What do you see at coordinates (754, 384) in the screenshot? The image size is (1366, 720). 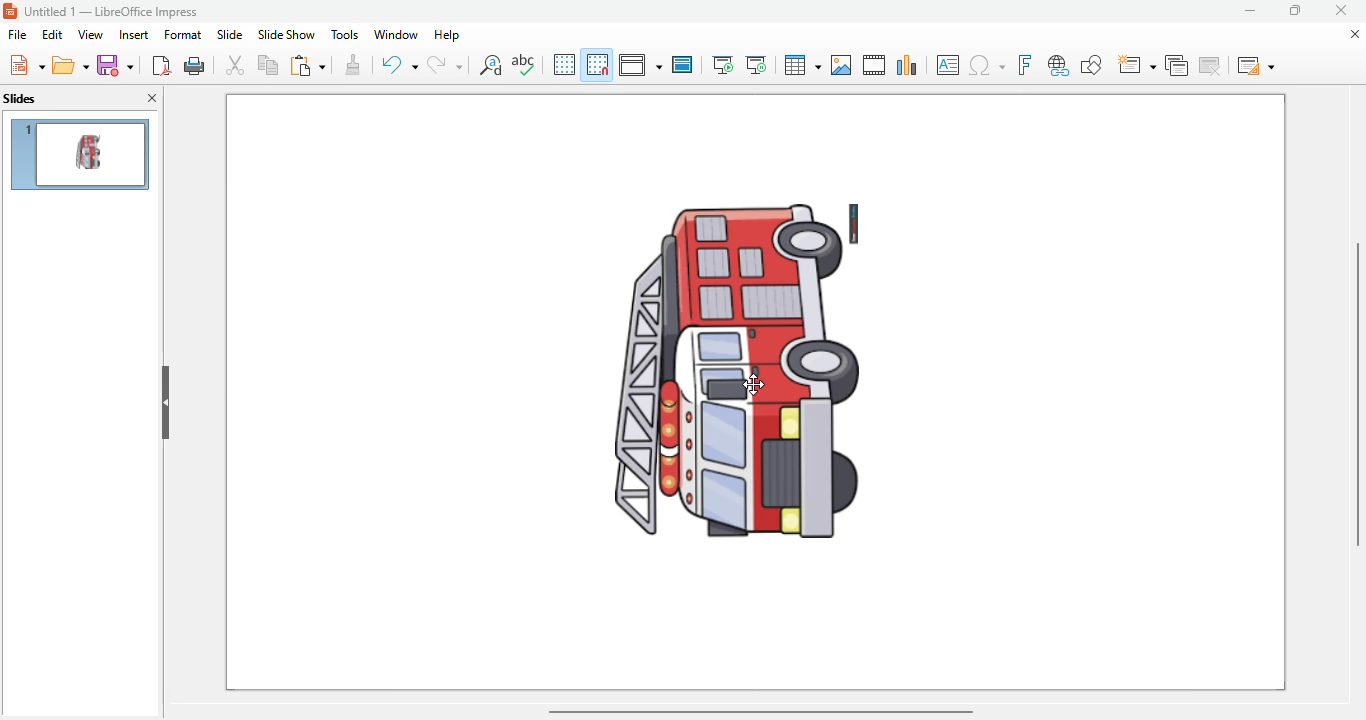 I see `cursor` at bounding box center [754, 384].